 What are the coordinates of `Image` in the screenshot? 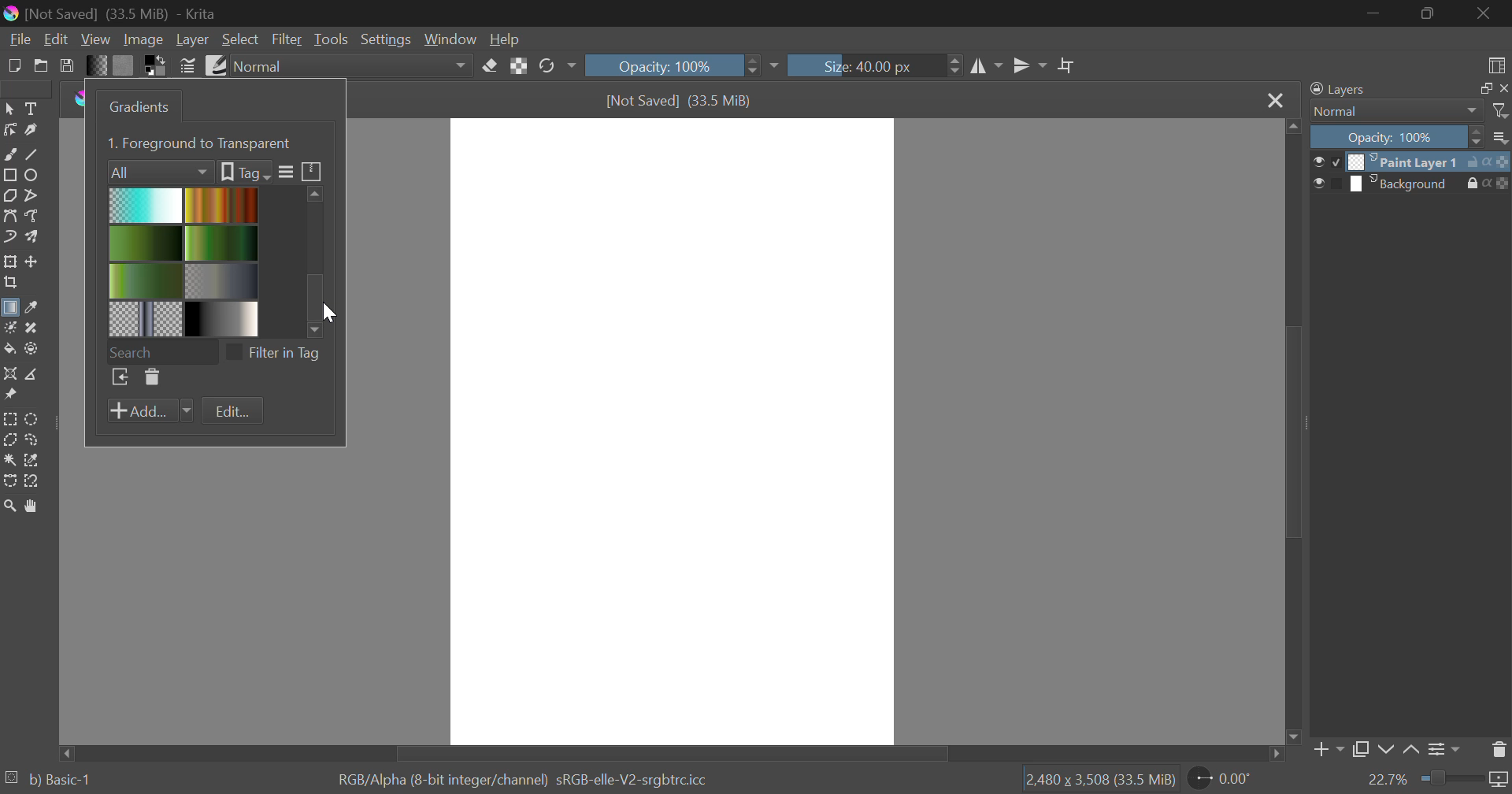 It's located at (142, 39).